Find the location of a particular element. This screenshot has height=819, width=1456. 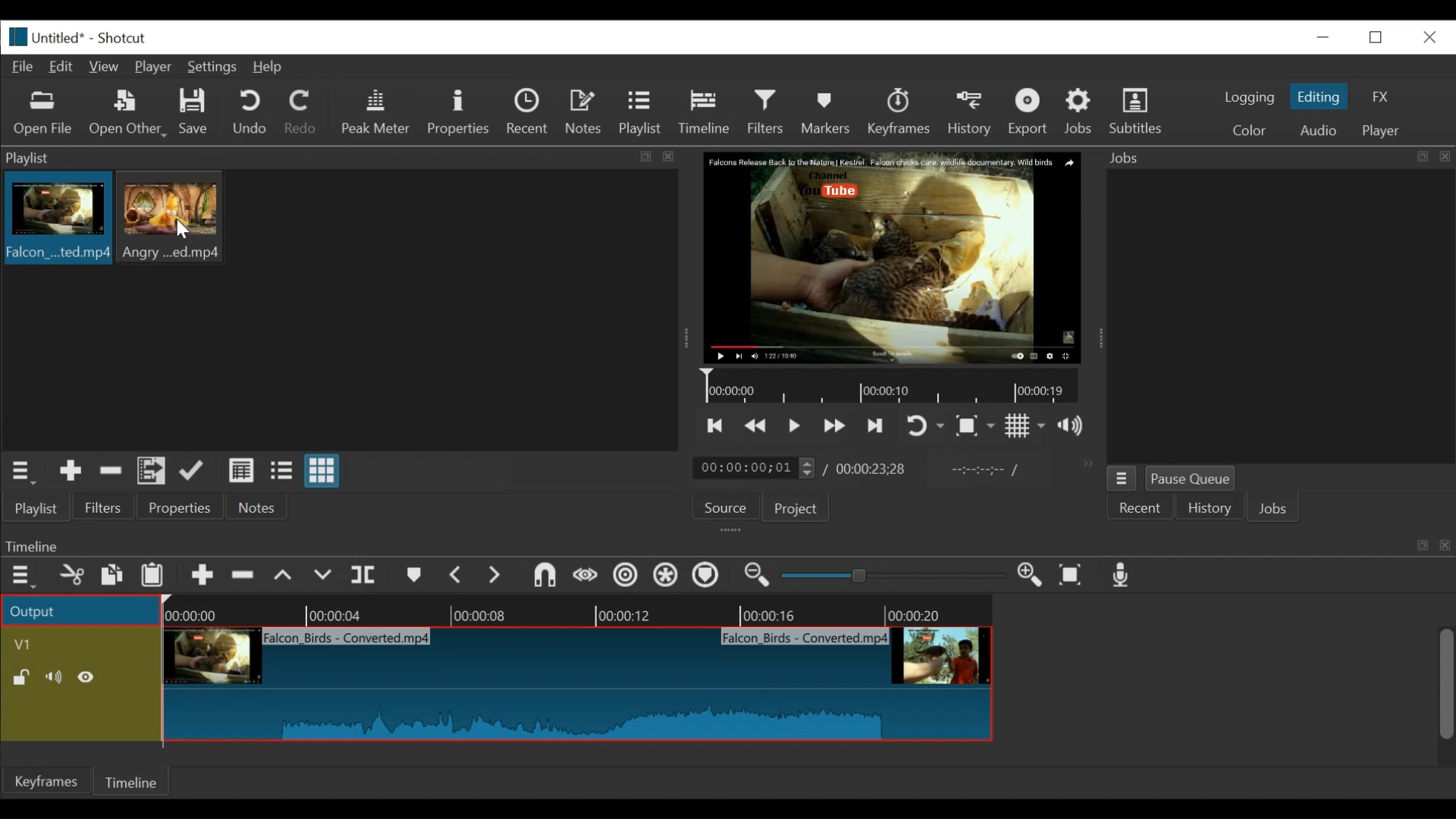

History is located at coordinates (1210, 510).